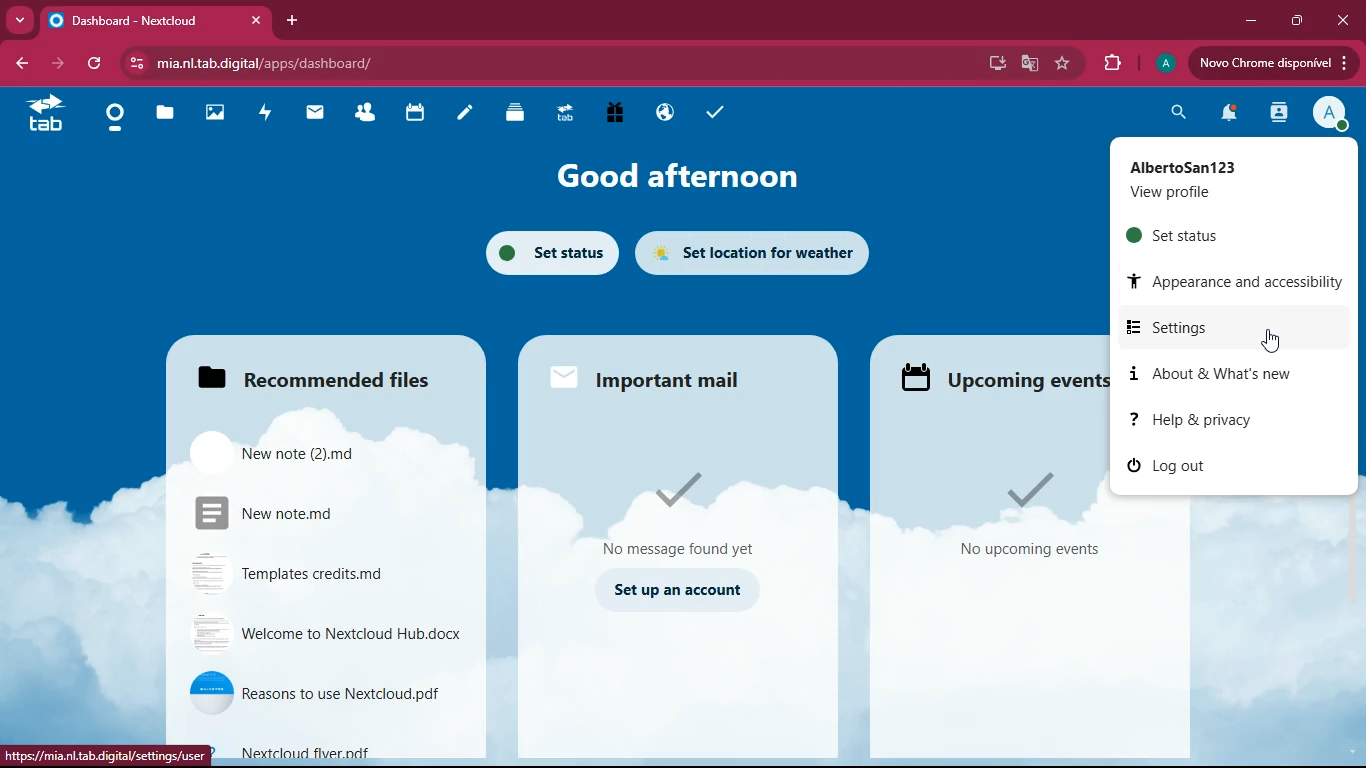 Image resolution: width=1366 pixels, height=768 pixels. I want to click on file, so click(326, 633).